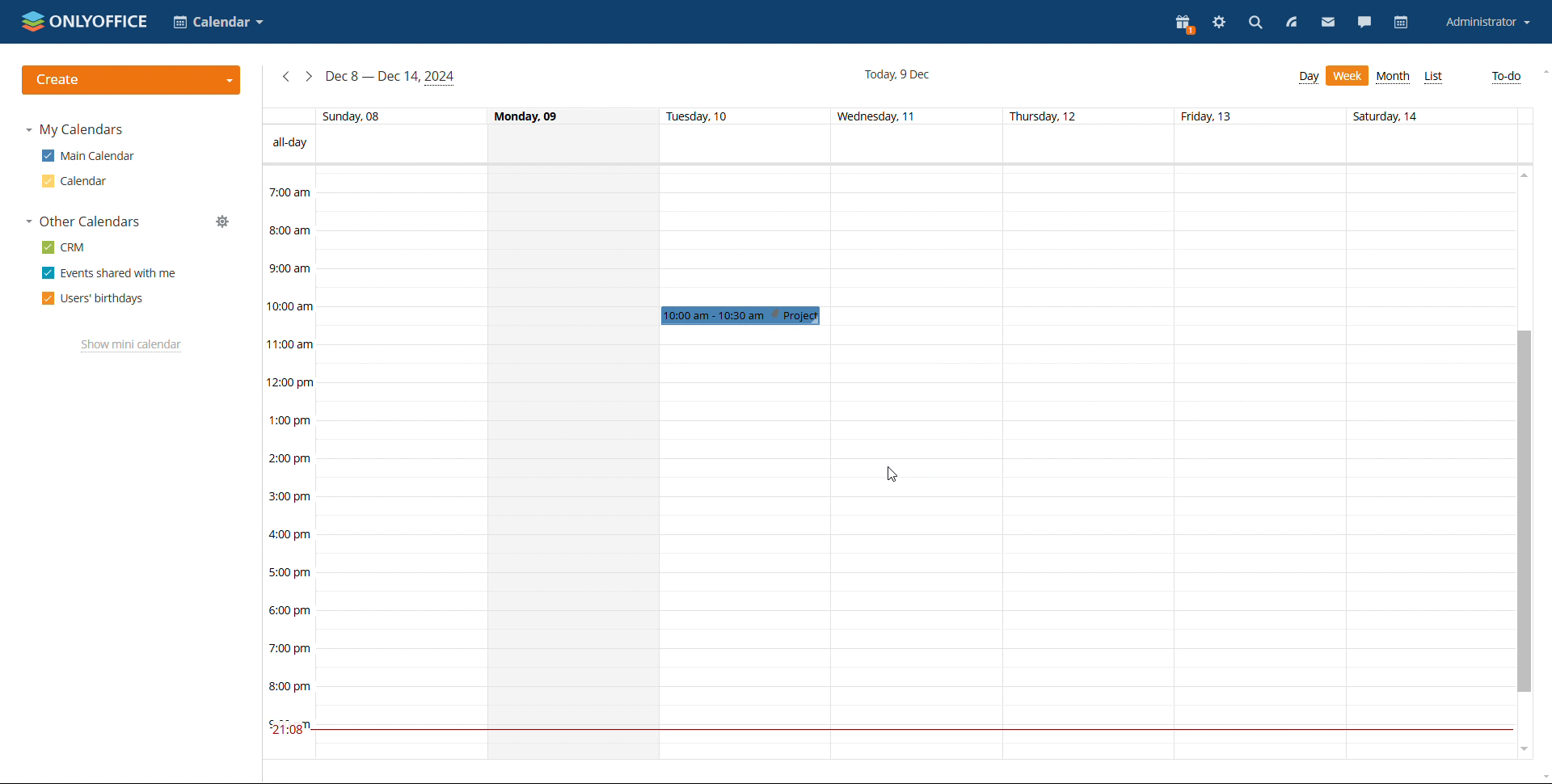 The height and width of the screenshot is (784, 1552). What do you see at coordinates (900, 74) in the screenshot?
I see `current date` at bounding box center [900, 74].